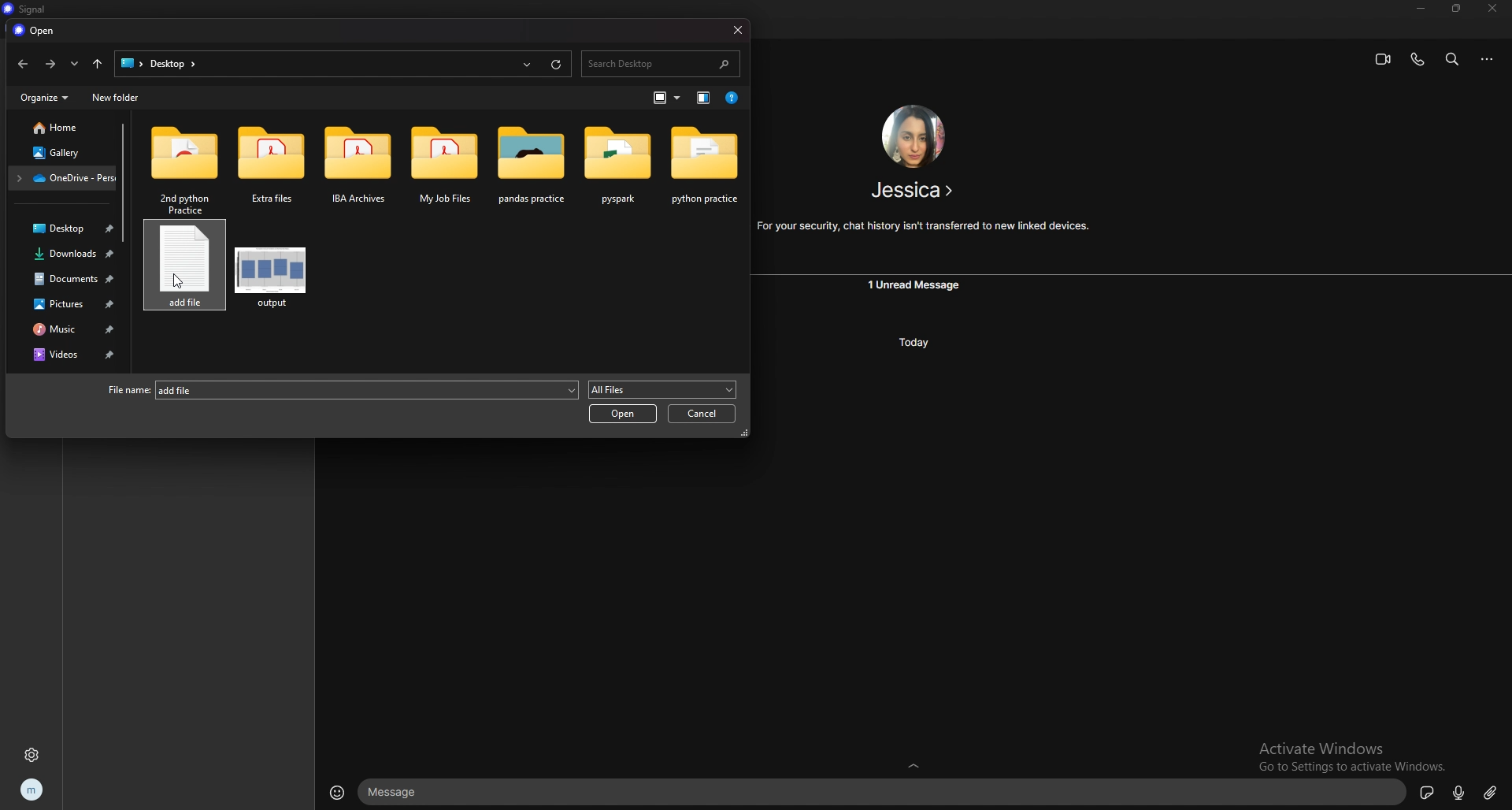 Image resolution: width=1512 pixels, height=810 pixels. I want to click on voice call, so click(1417, 59).